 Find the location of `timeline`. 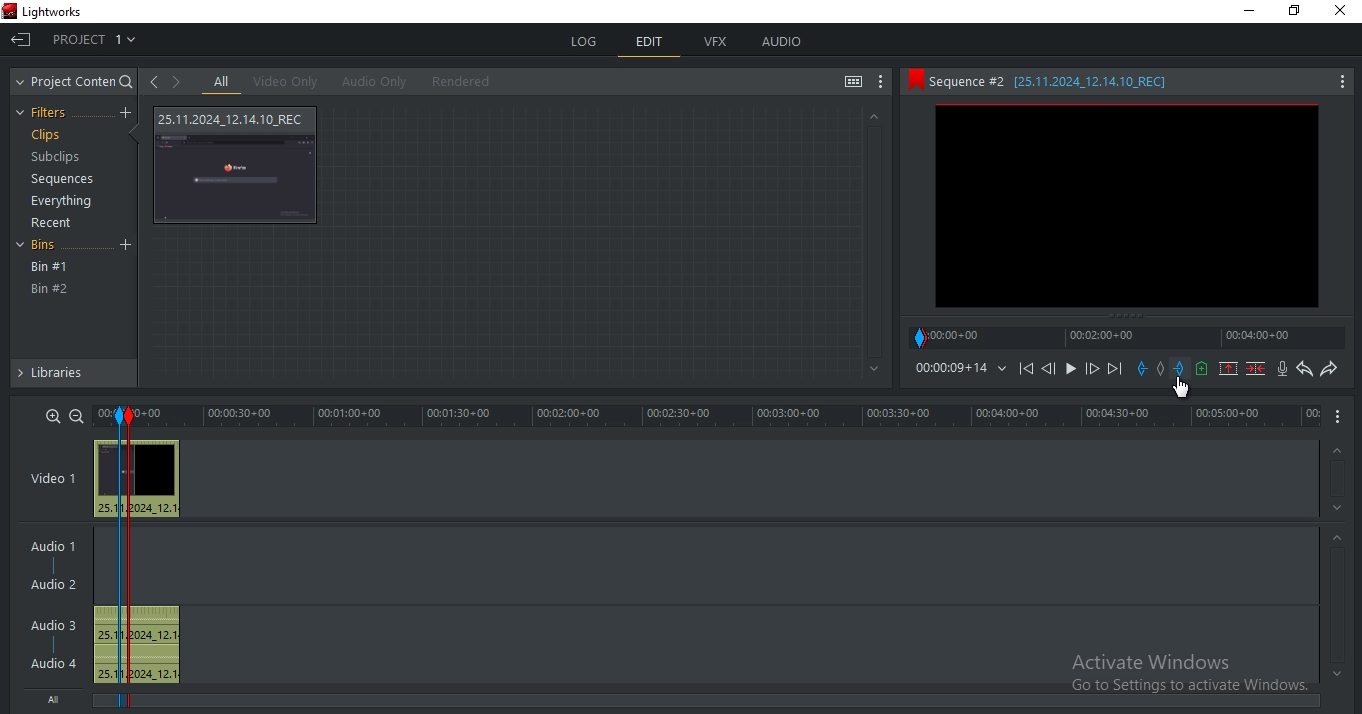

timeline is located at coordinates (1130, 337).